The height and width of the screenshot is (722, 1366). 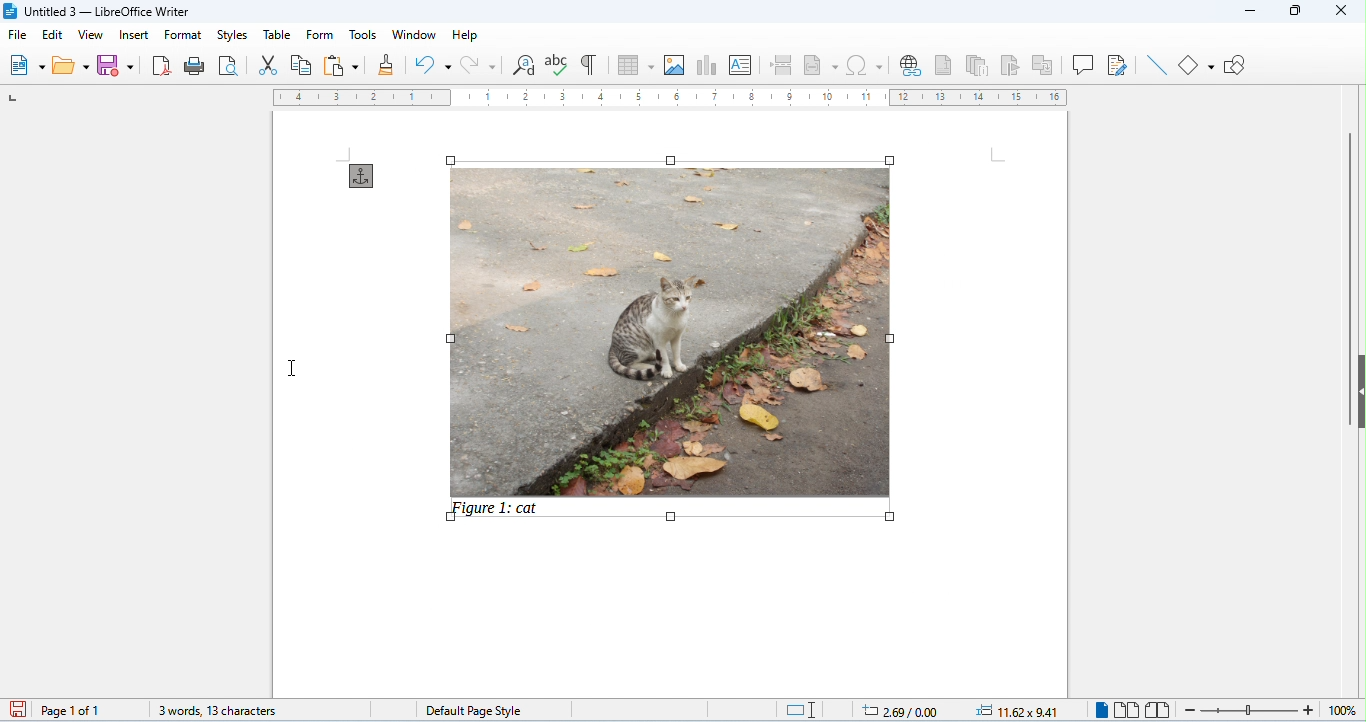 I want to click on insert special characters, so click(x=866, y=65).